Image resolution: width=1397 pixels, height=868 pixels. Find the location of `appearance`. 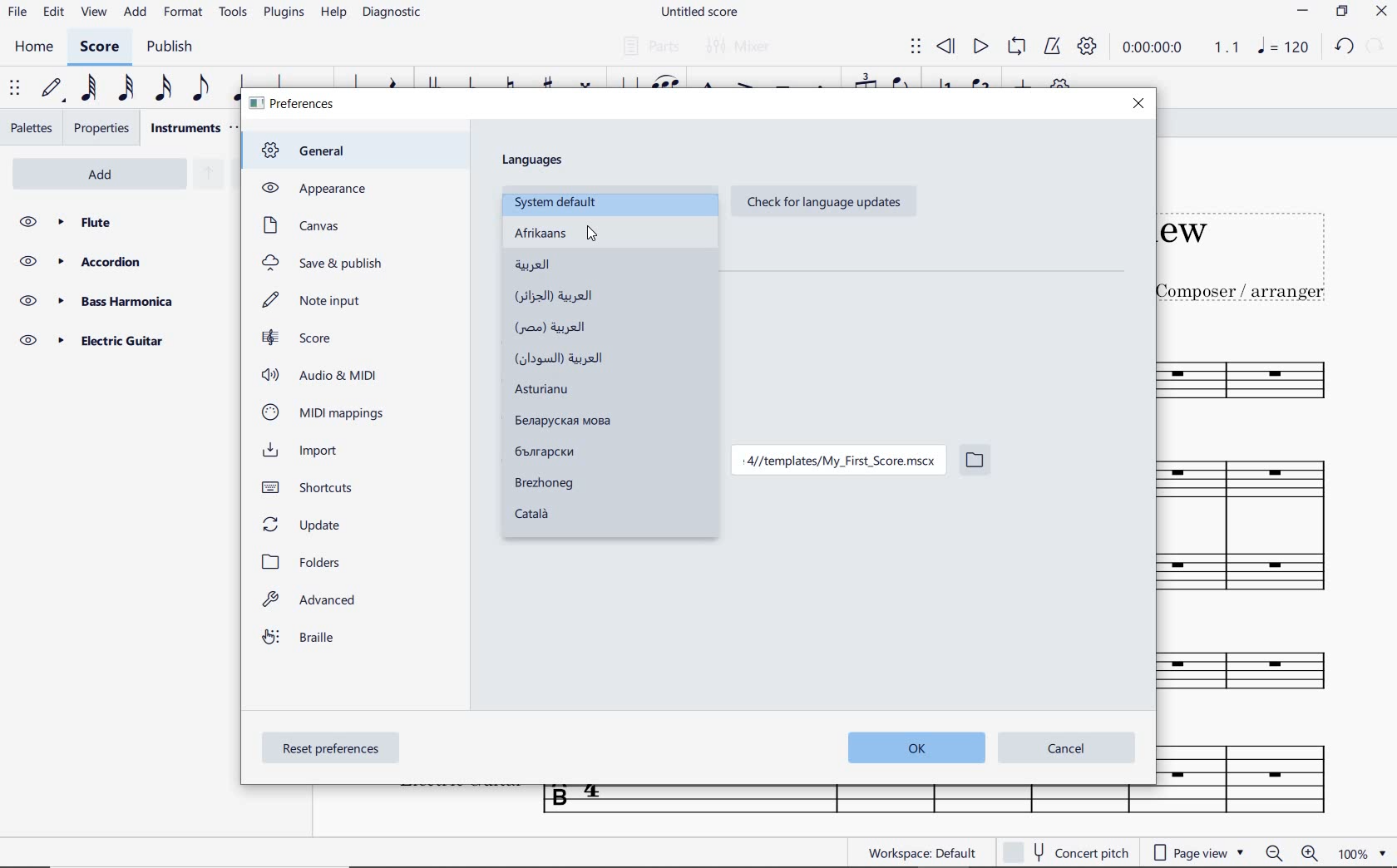

appearance is located at coordinates (312, 188).